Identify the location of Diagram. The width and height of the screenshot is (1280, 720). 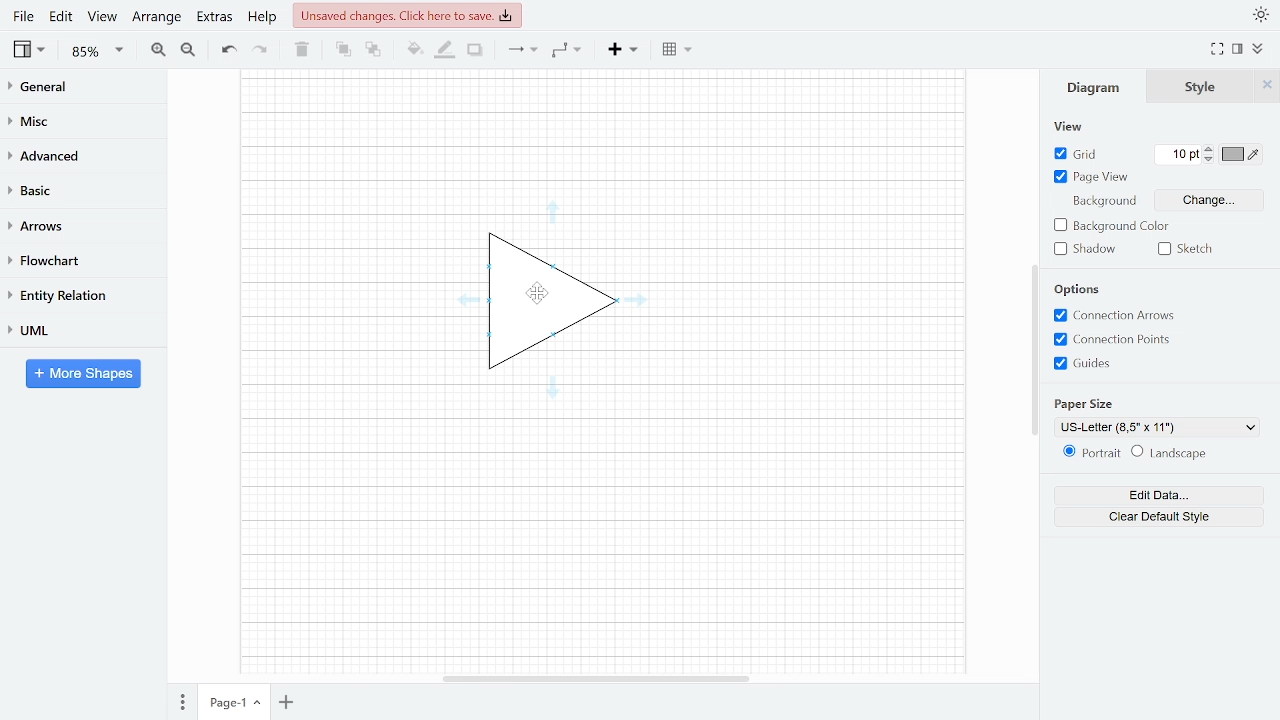
(1093, 87).